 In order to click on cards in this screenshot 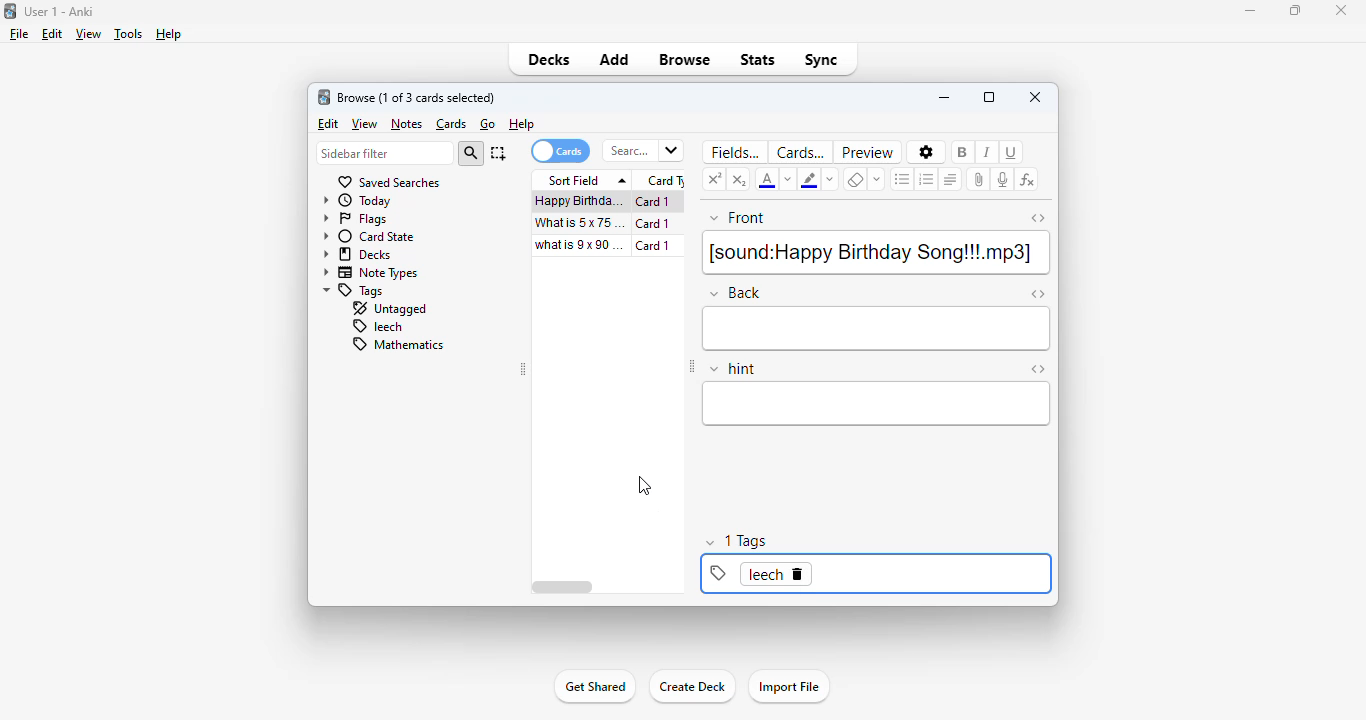, I will do `click(800, 152)`.